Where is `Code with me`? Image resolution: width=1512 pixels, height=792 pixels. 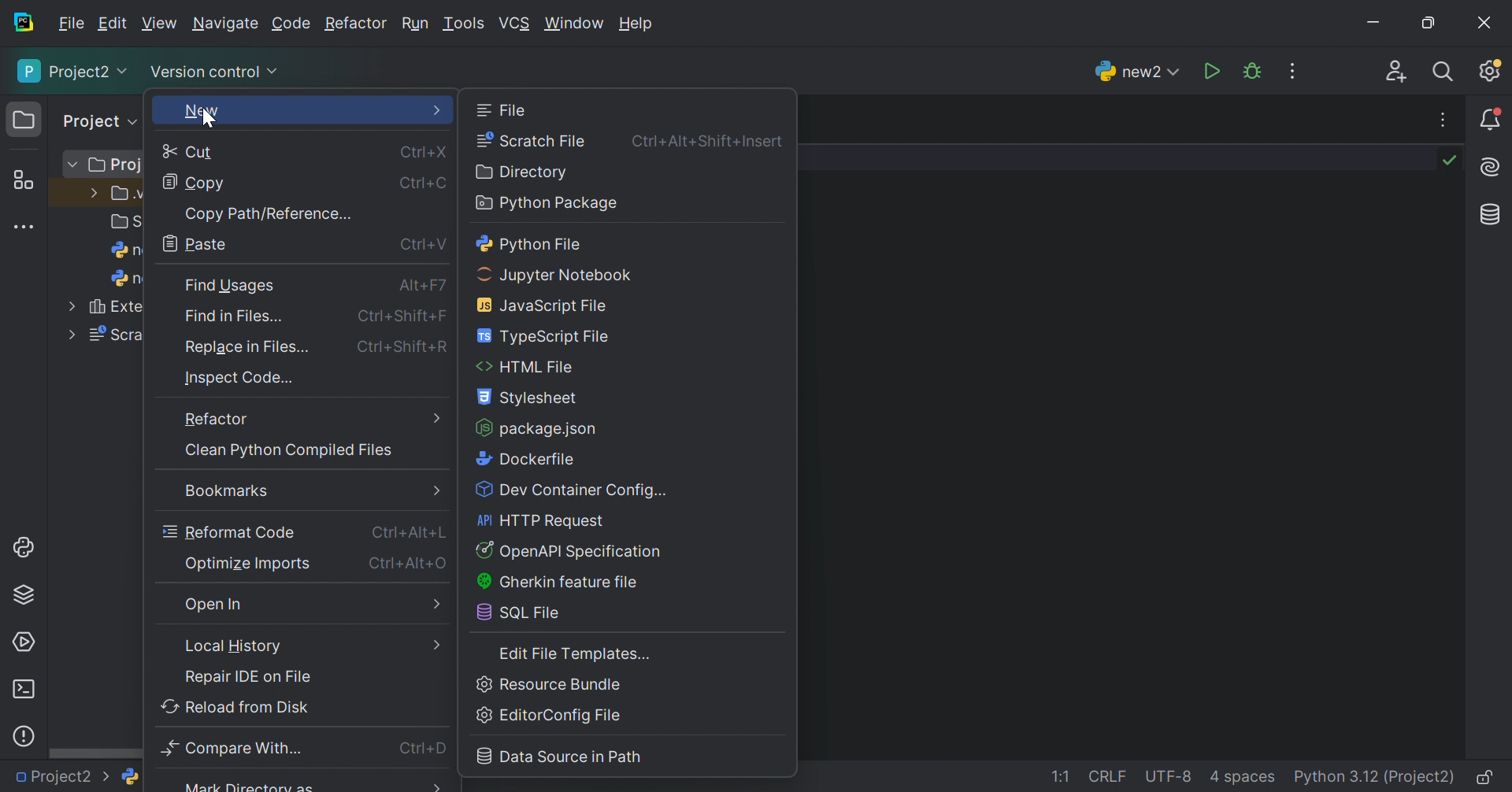 Code with me is located at coordinates (1395, 72).